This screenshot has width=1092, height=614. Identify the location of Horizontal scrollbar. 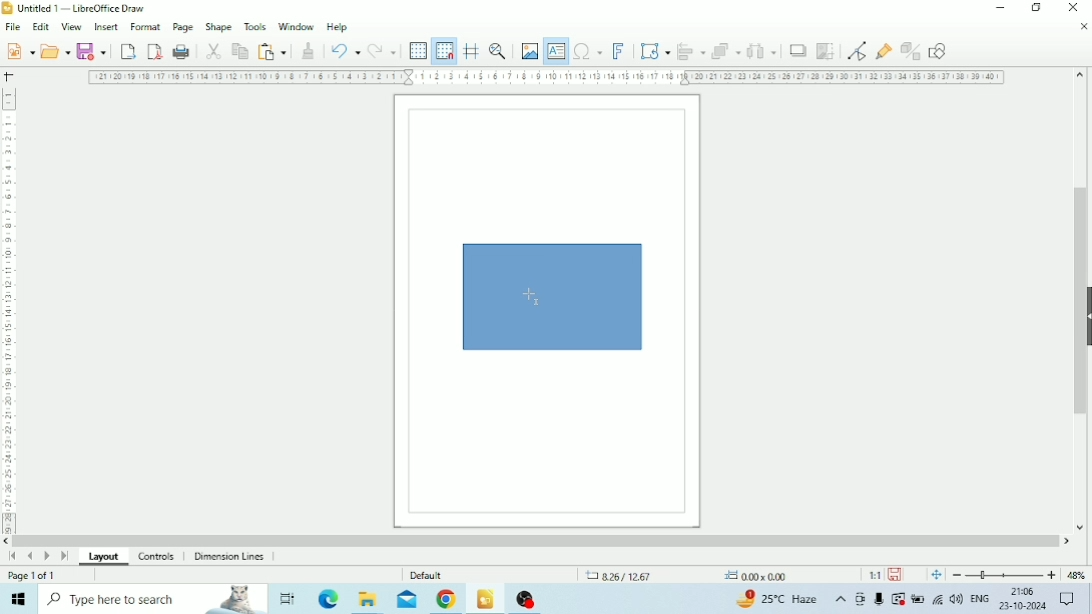
(536, 541).